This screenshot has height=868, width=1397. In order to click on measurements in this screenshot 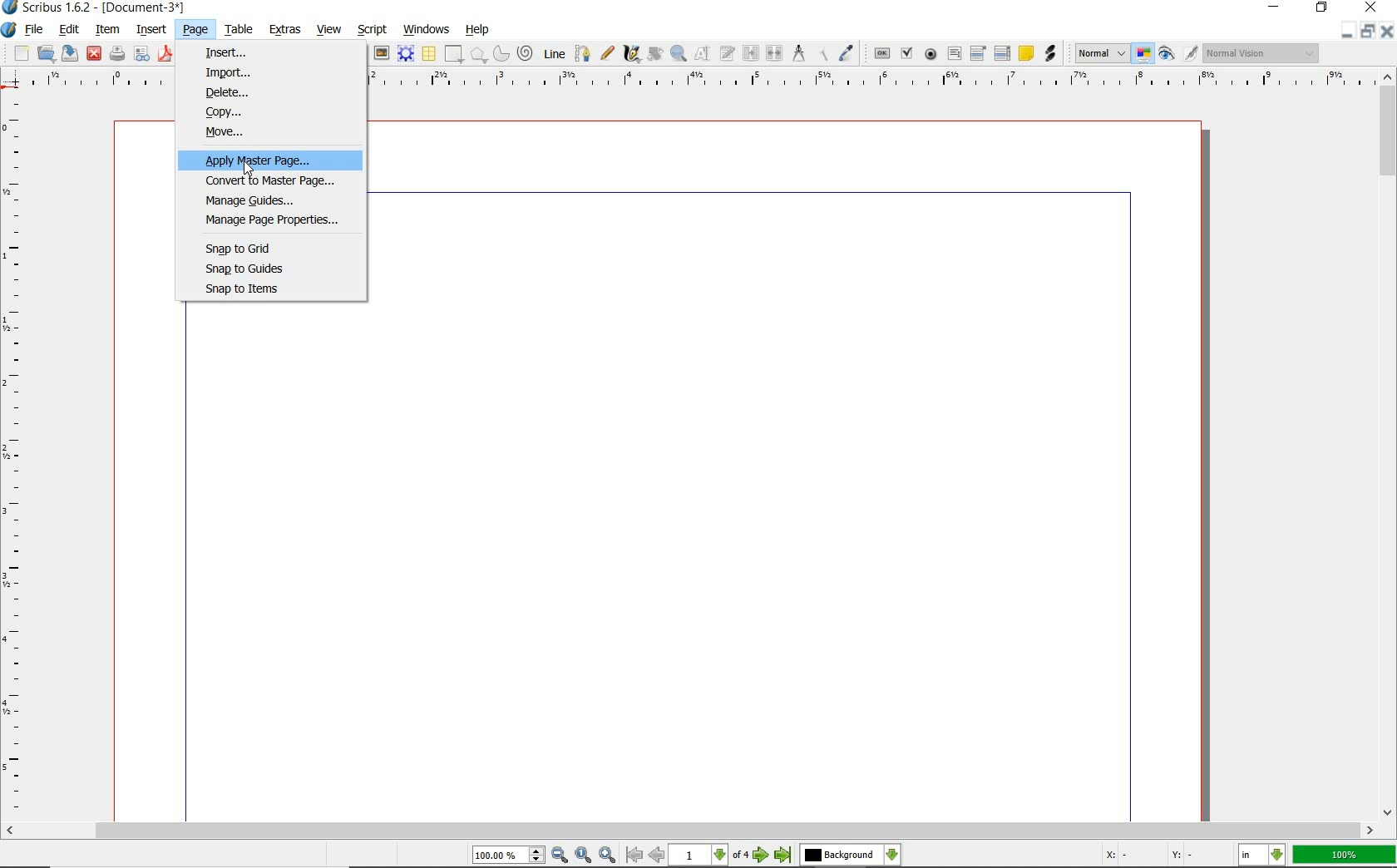, I will do `click(797, 54)`.